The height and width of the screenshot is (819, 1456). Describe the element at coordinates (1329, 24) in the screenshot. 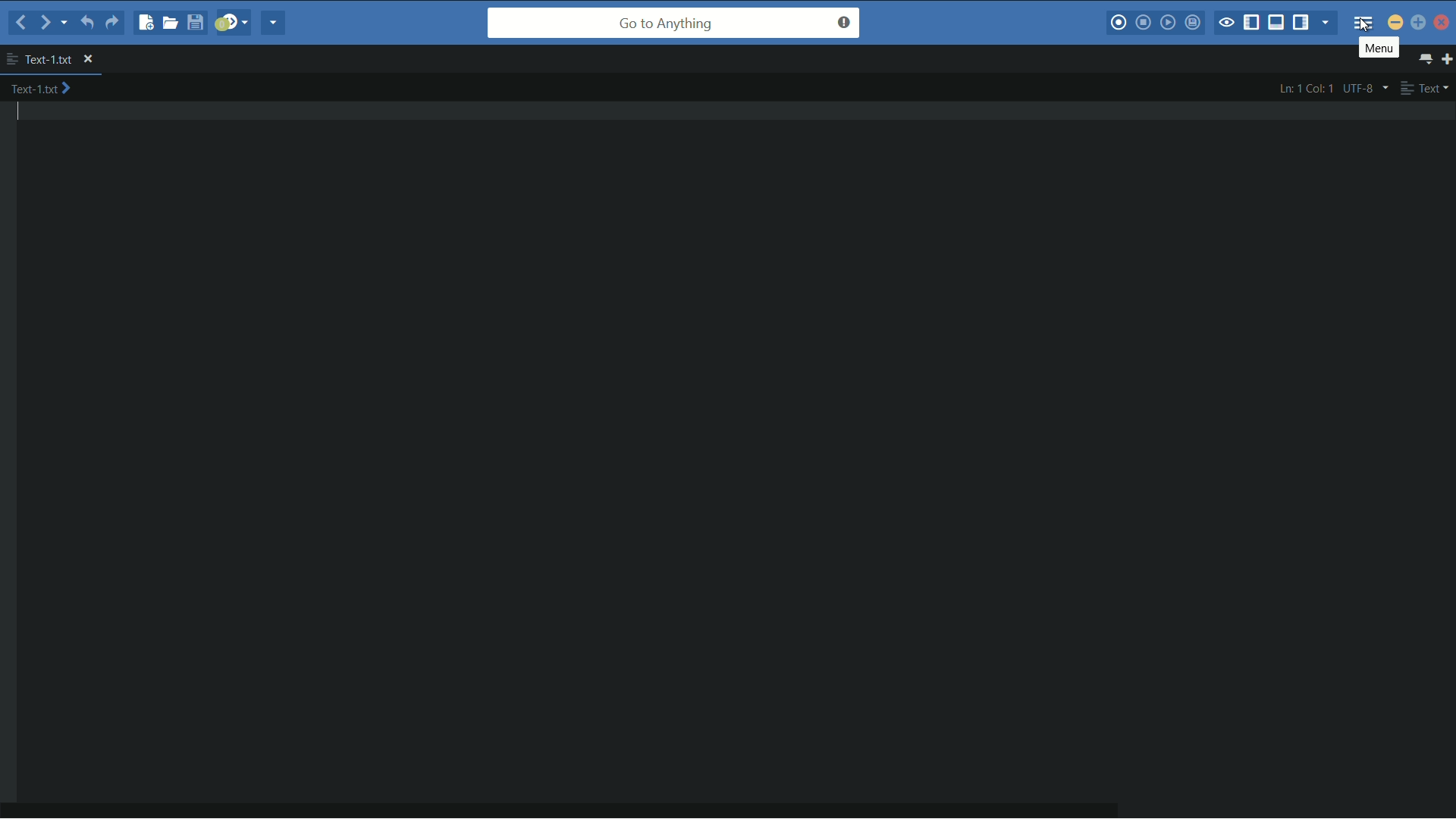

I see `show specific sidebar/tab` at that location.